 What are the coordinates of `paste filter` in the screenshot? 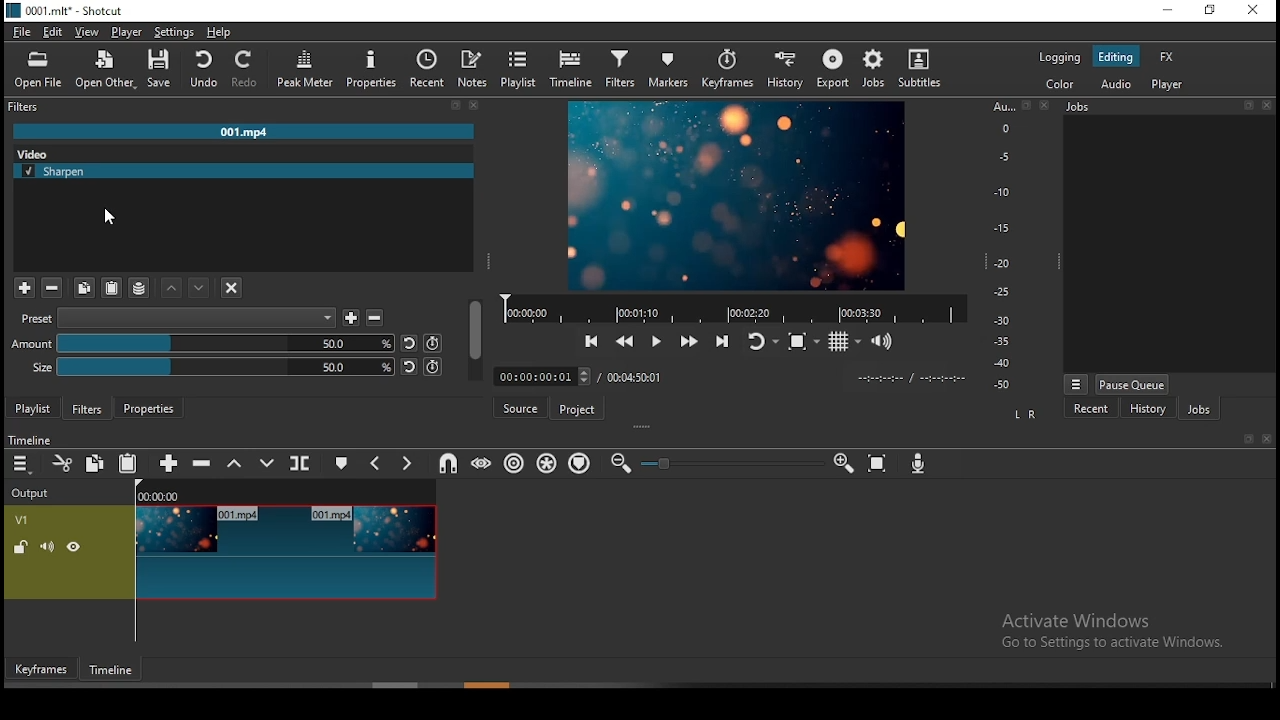 It's located at (111, 288).